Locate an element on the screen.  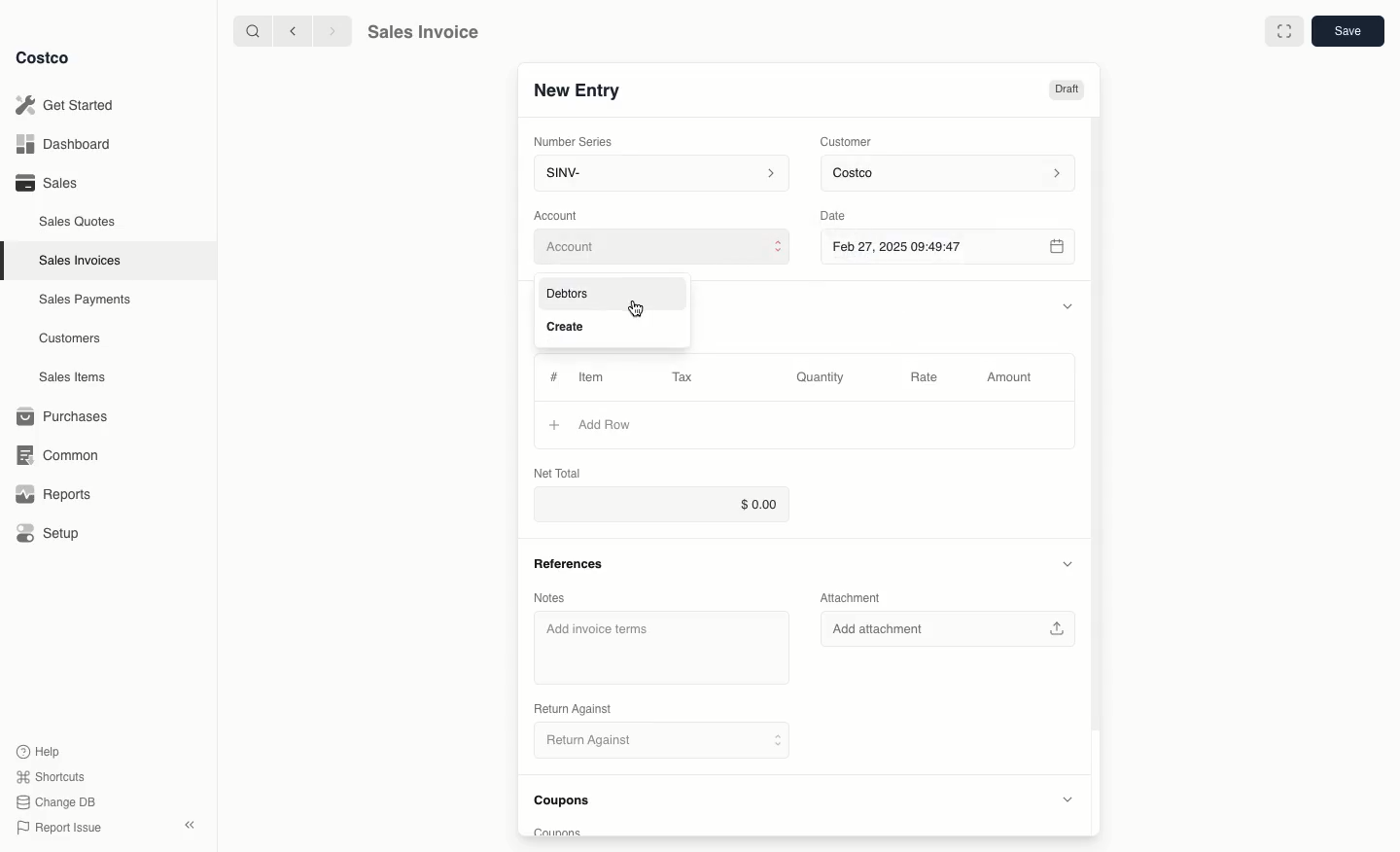
Dashboard is located at coordinates (68, 145).